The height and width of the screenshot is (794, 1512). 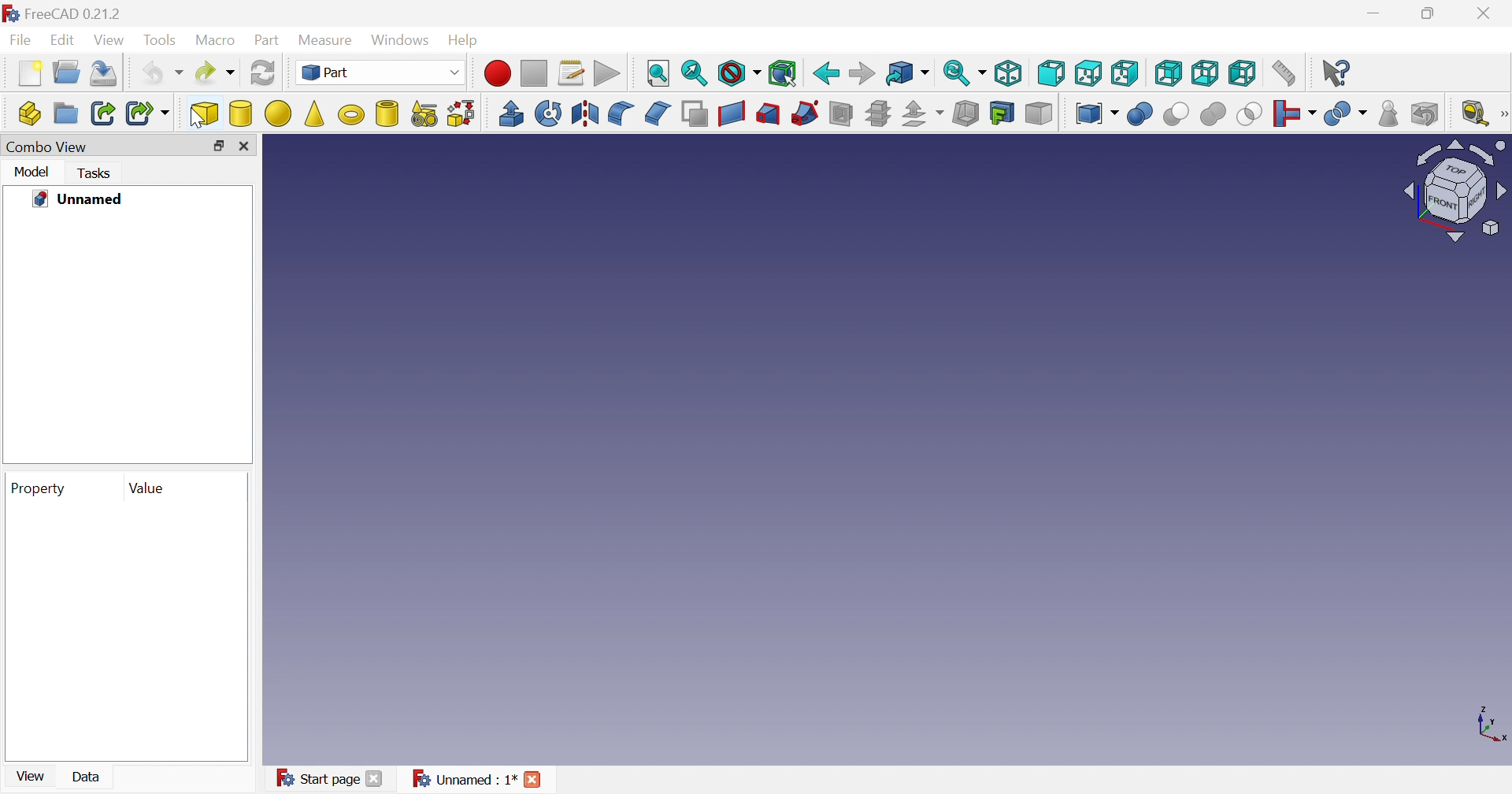 What do you see at coordinates (1009, 72) in the screenshot?
I see `Isometric` at bounding box center [1009, 72].